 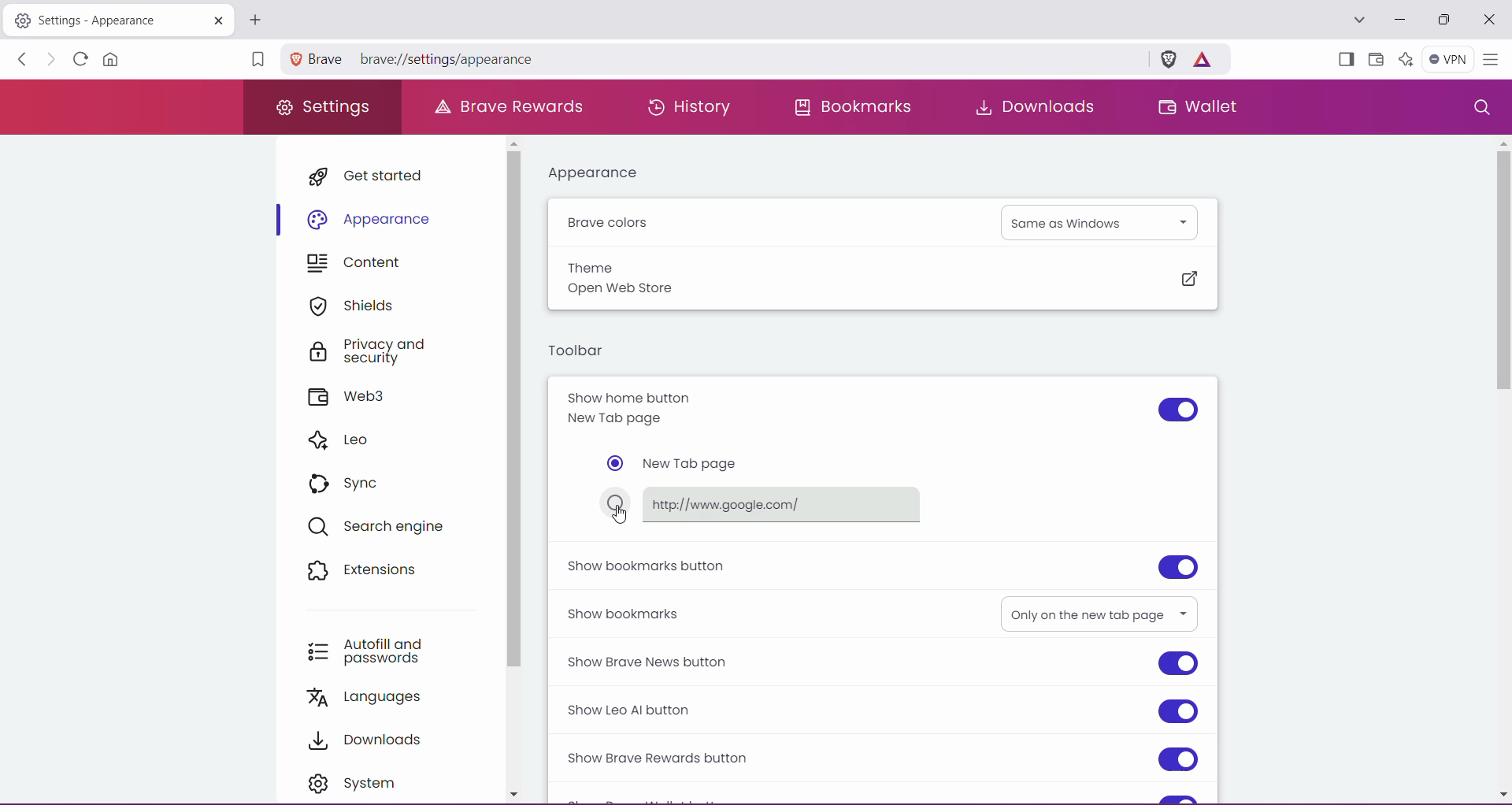 I want to click on Click to go forward, hold to see history, so click(x=51, y=60).